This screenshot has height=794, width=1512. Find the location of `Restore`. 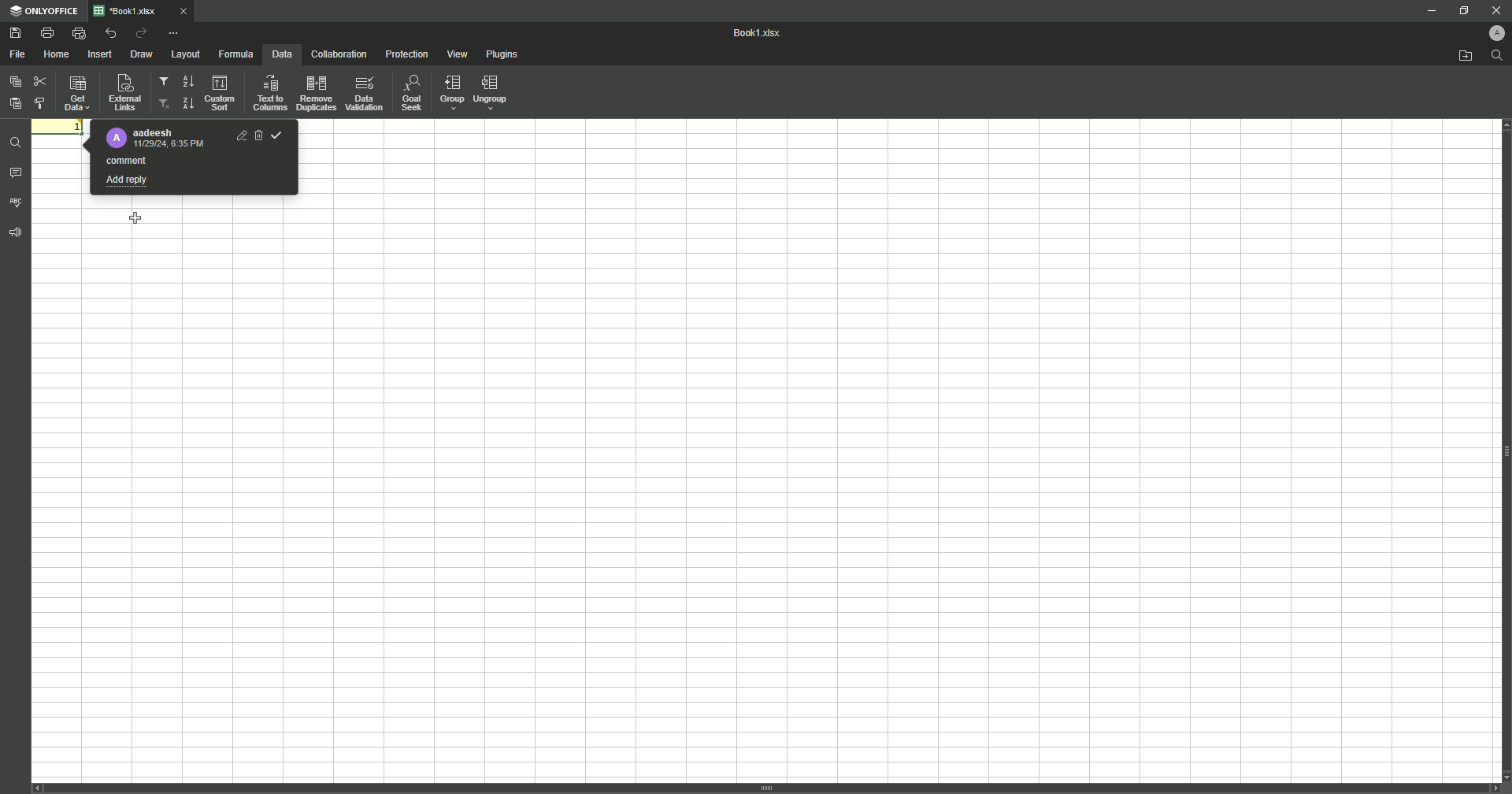

Restore is located at coordinates (1462, 10).